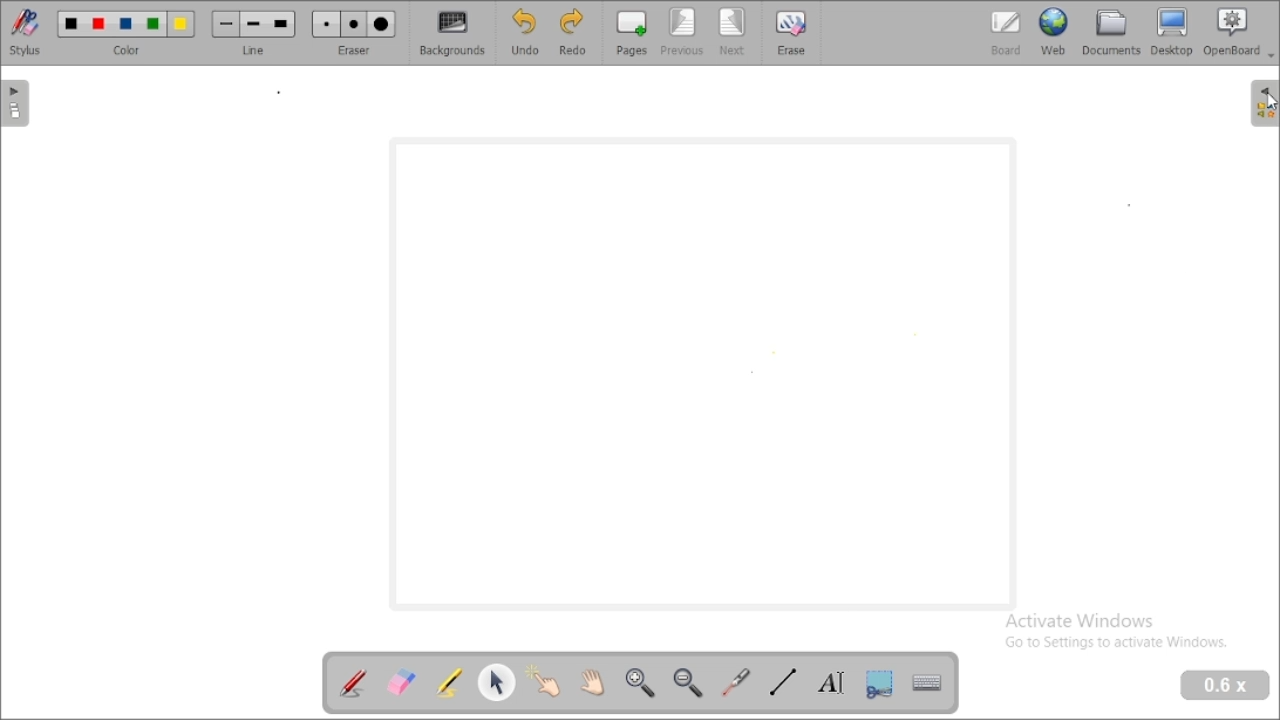 This screenshot has width=1280, height=720. Describe the element at coordinates (1262, 104) in the screenshot. I see `sidebar settings` at that location.